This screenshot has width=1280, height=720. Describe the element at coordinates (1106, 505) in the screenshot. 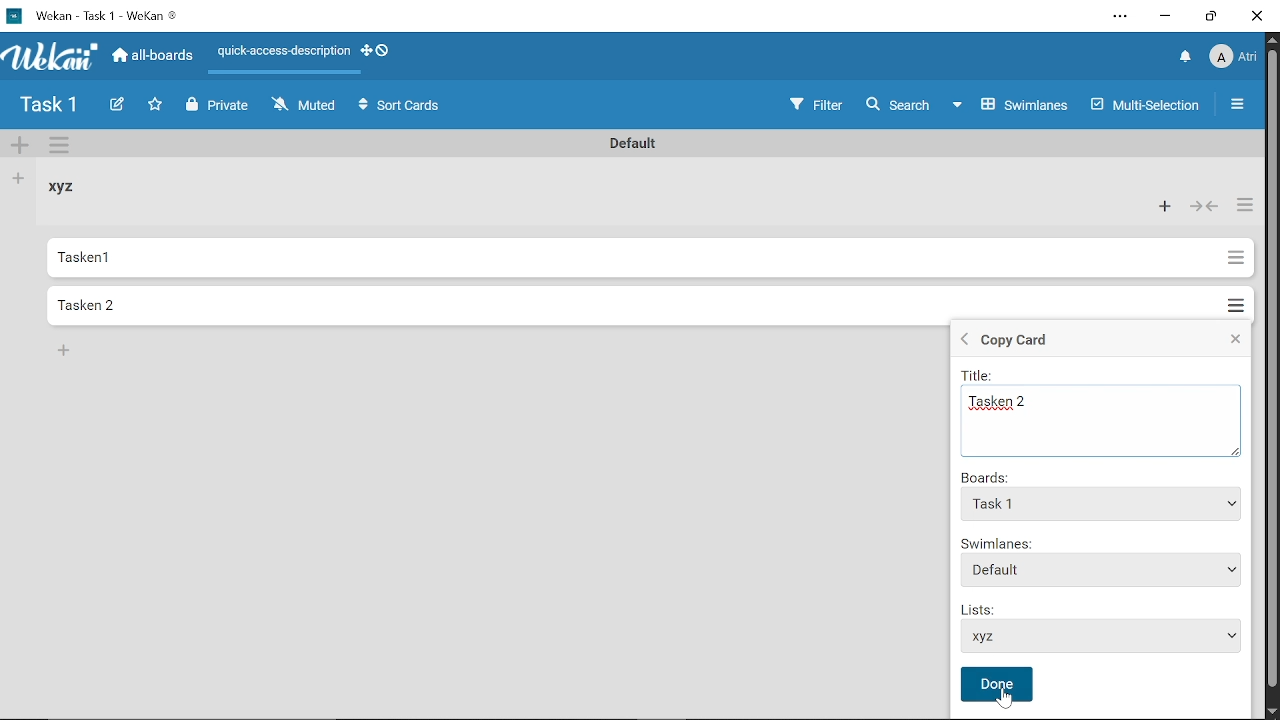

I see `Move to top` at that location.